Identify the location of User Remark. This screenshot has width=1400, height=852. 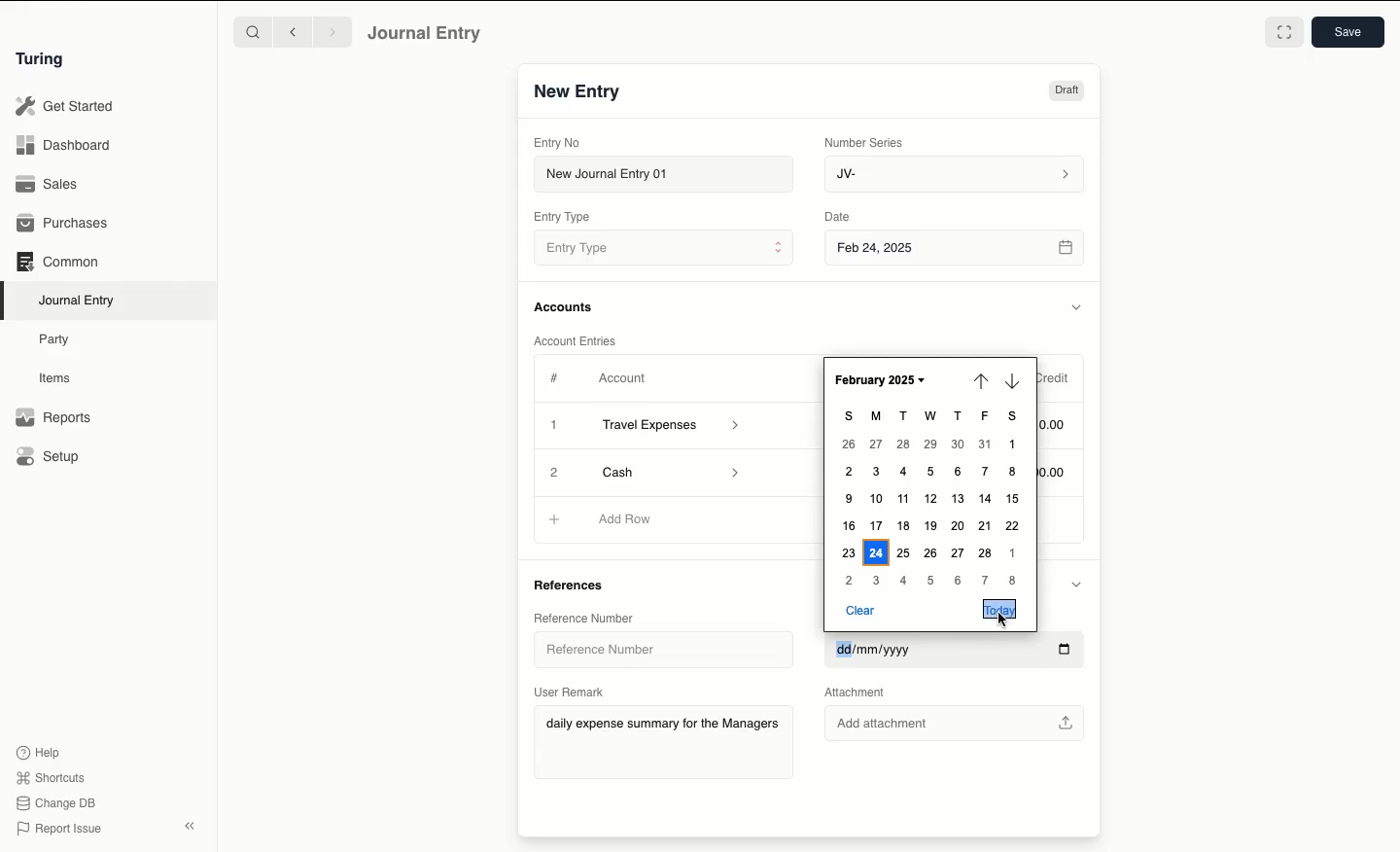
(570, 692).